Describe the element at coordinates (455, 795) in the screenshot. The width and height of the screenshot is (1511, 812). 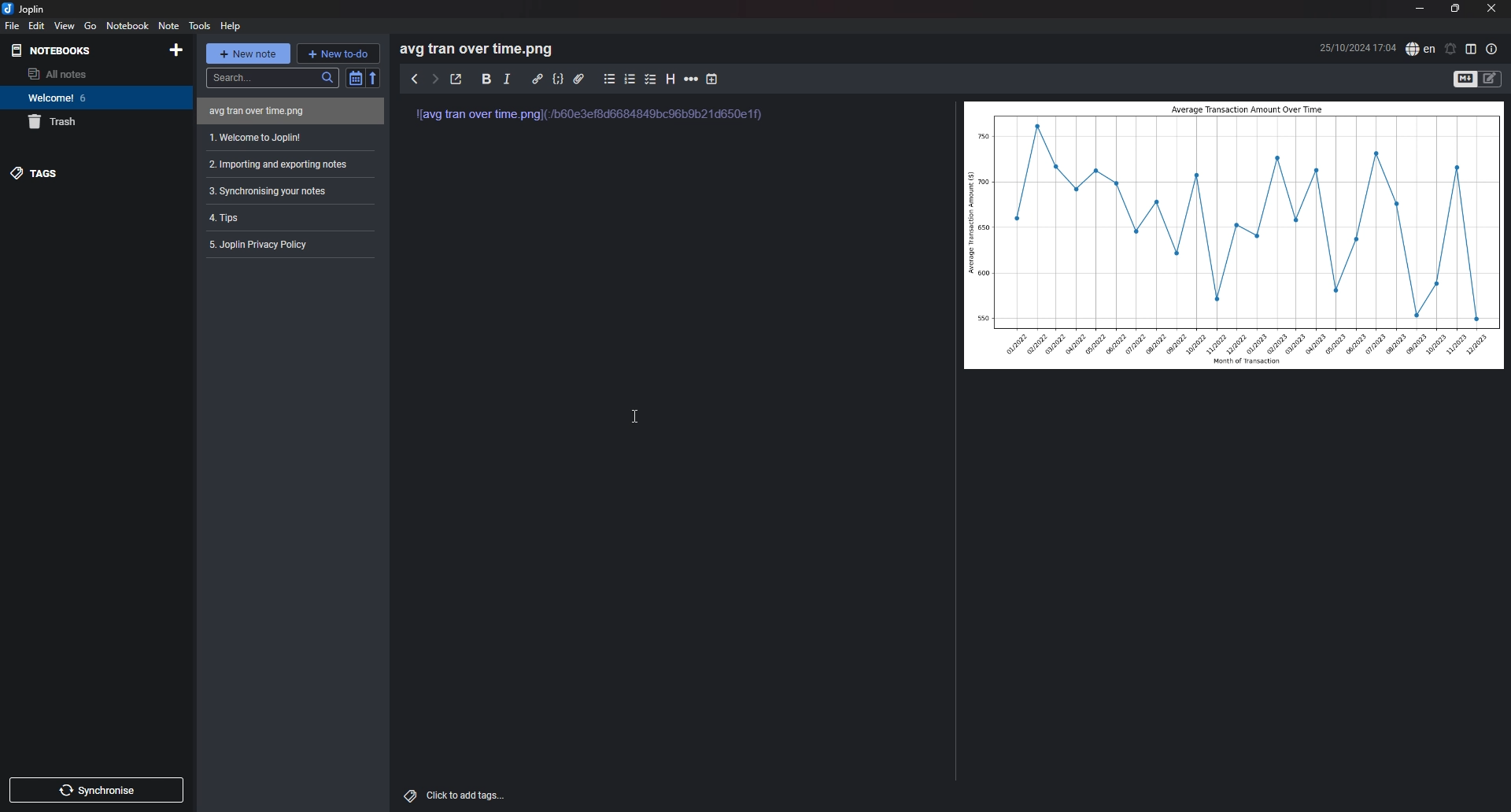
I see `click to add tags` at that location.